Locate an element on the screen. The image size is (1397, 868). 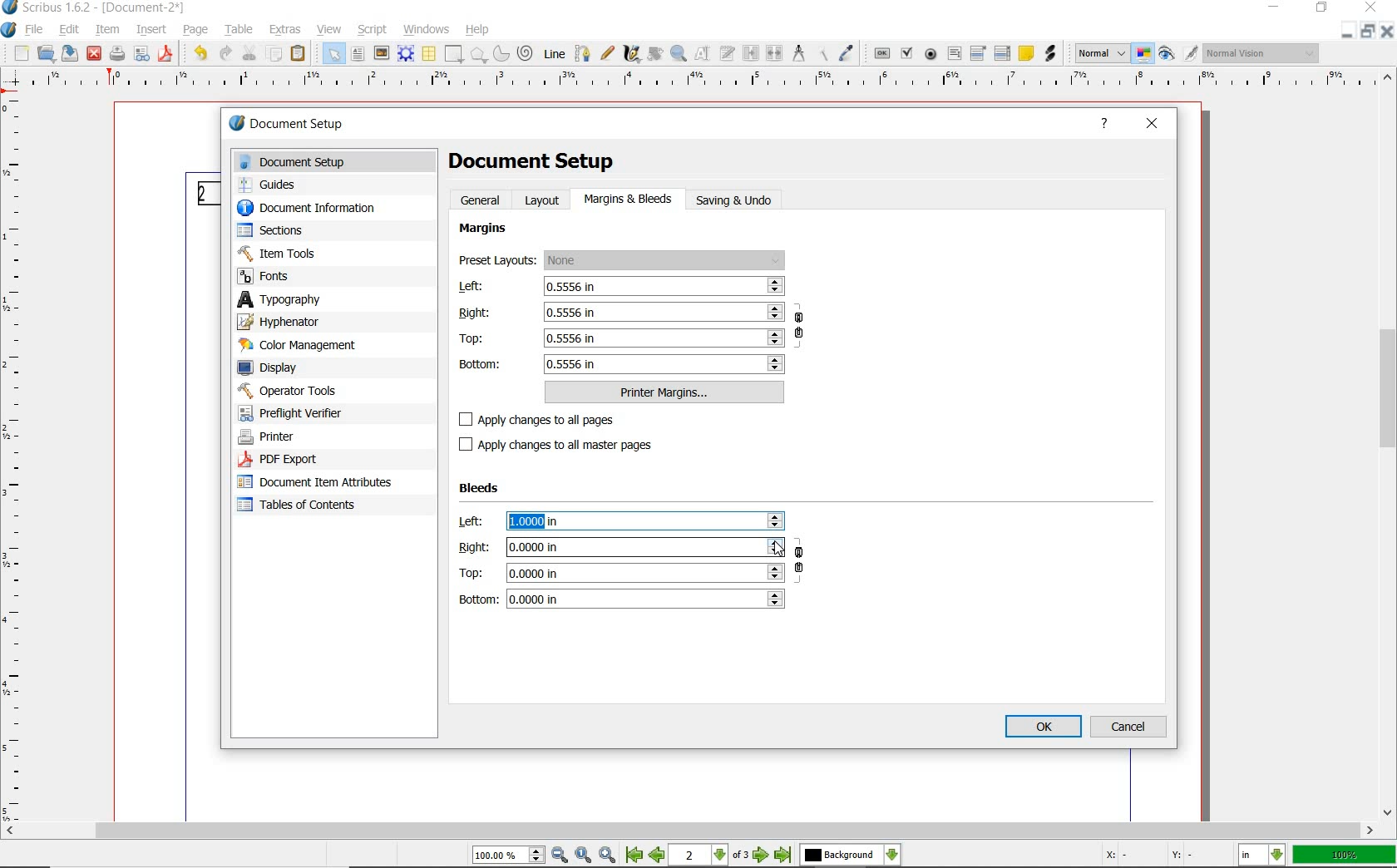
insert is located at coordinates (151, 30).